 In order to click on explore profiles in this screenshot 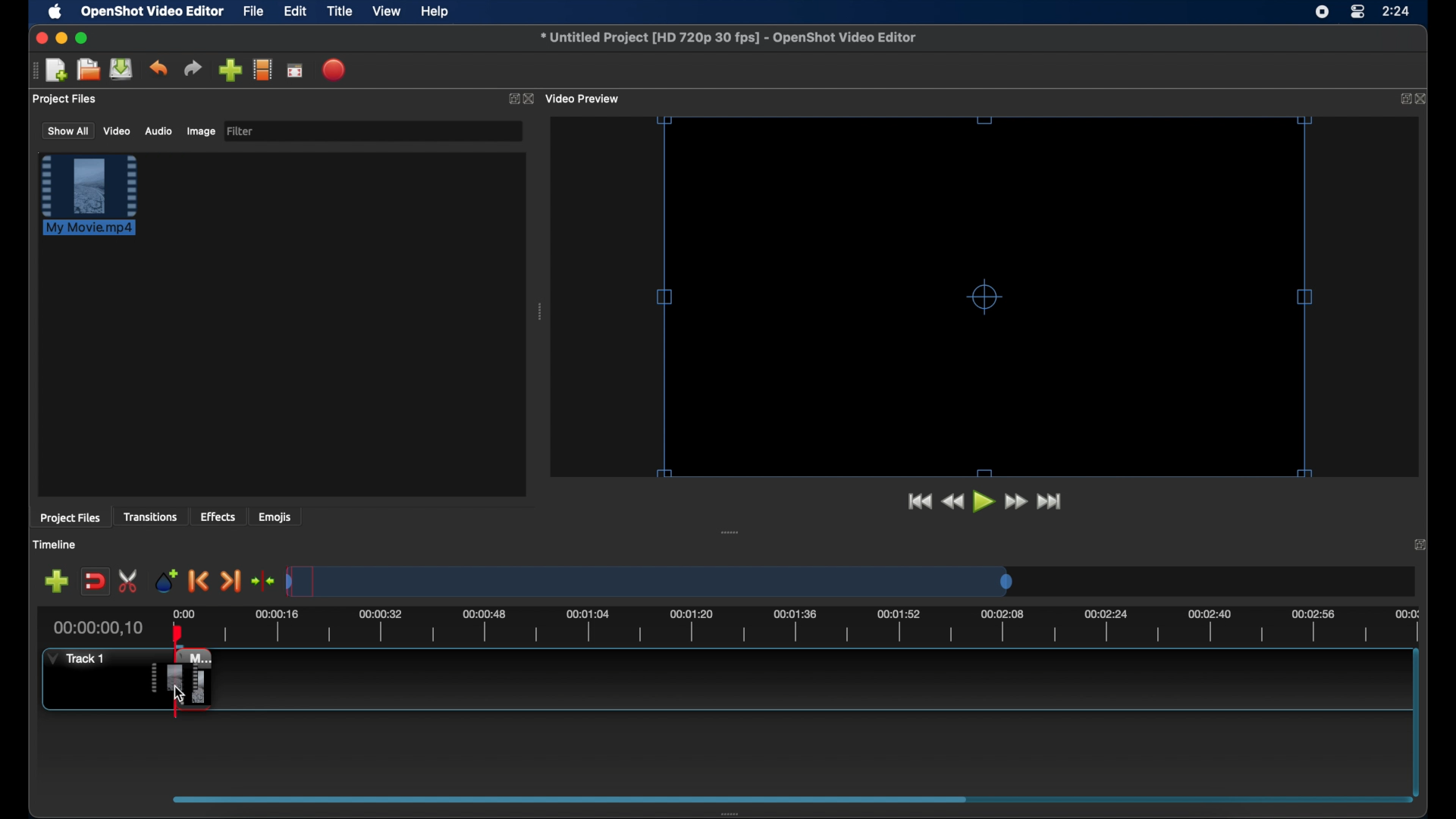, I will do `click(264, 71)`.